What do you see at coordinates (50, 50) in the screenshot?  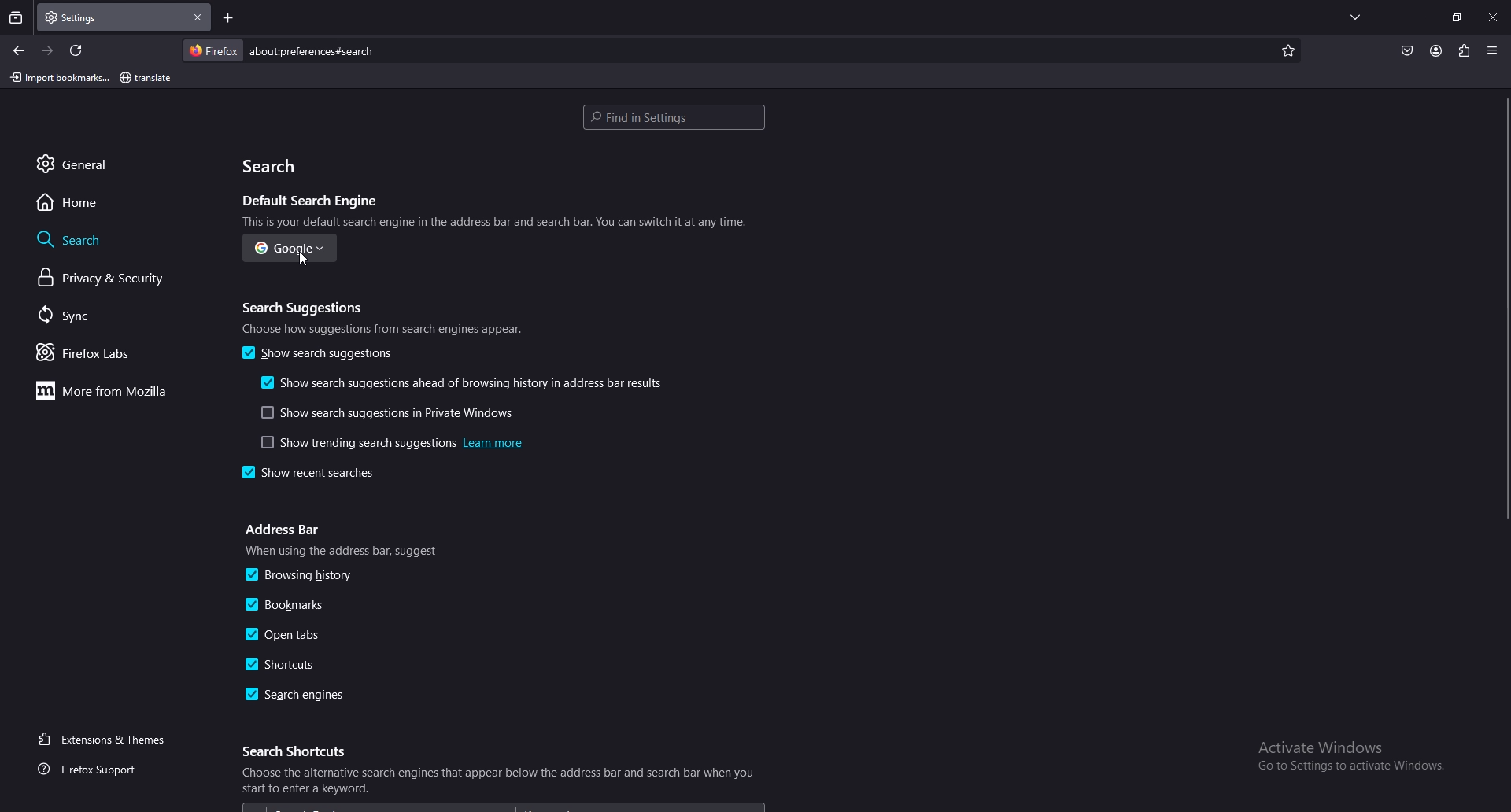 I see `forward` at bounding box center [50, 50].